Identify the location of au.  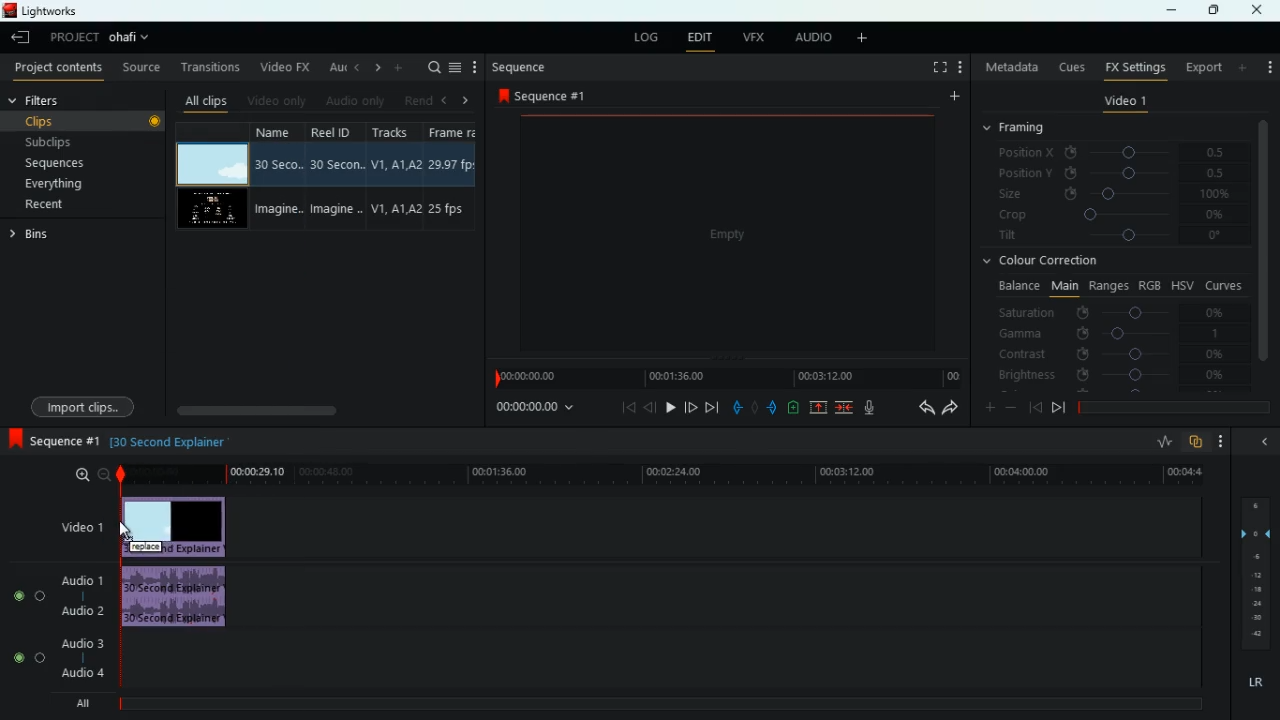
(331, 65).